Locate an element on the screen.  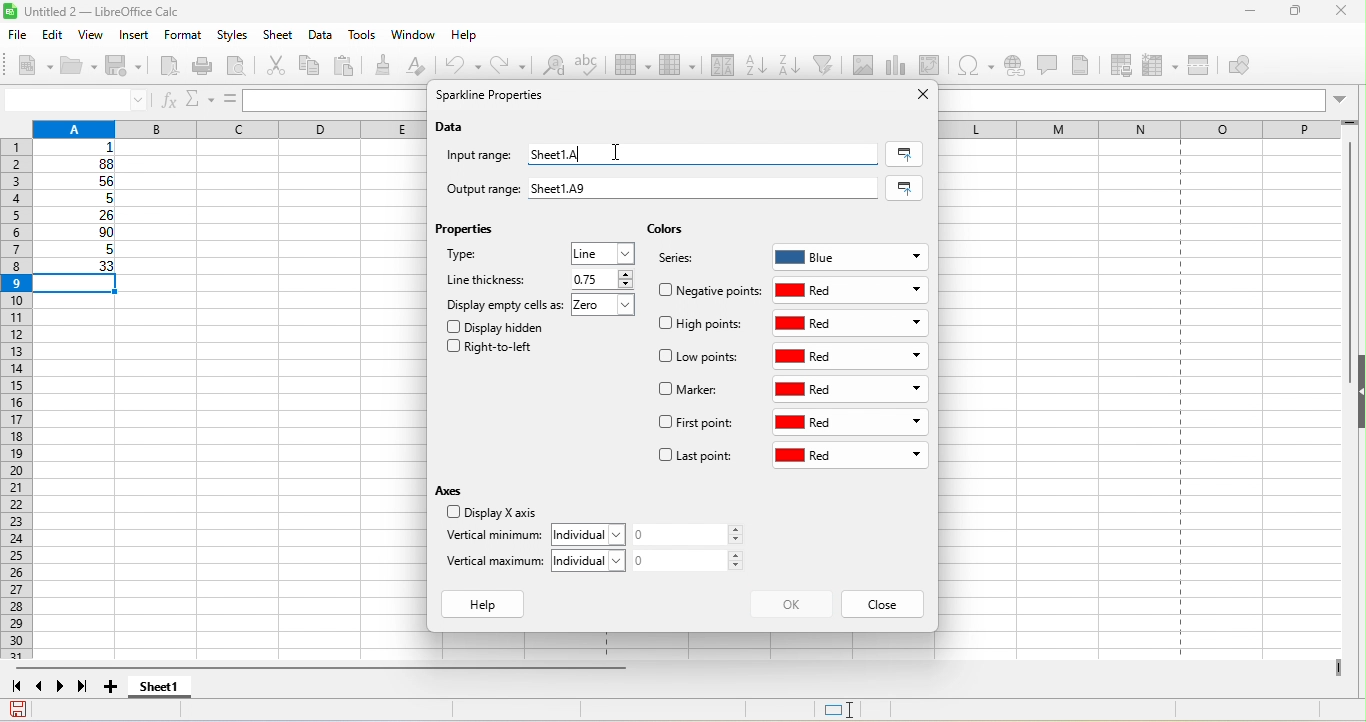
column is located at coordinates (676, 67).